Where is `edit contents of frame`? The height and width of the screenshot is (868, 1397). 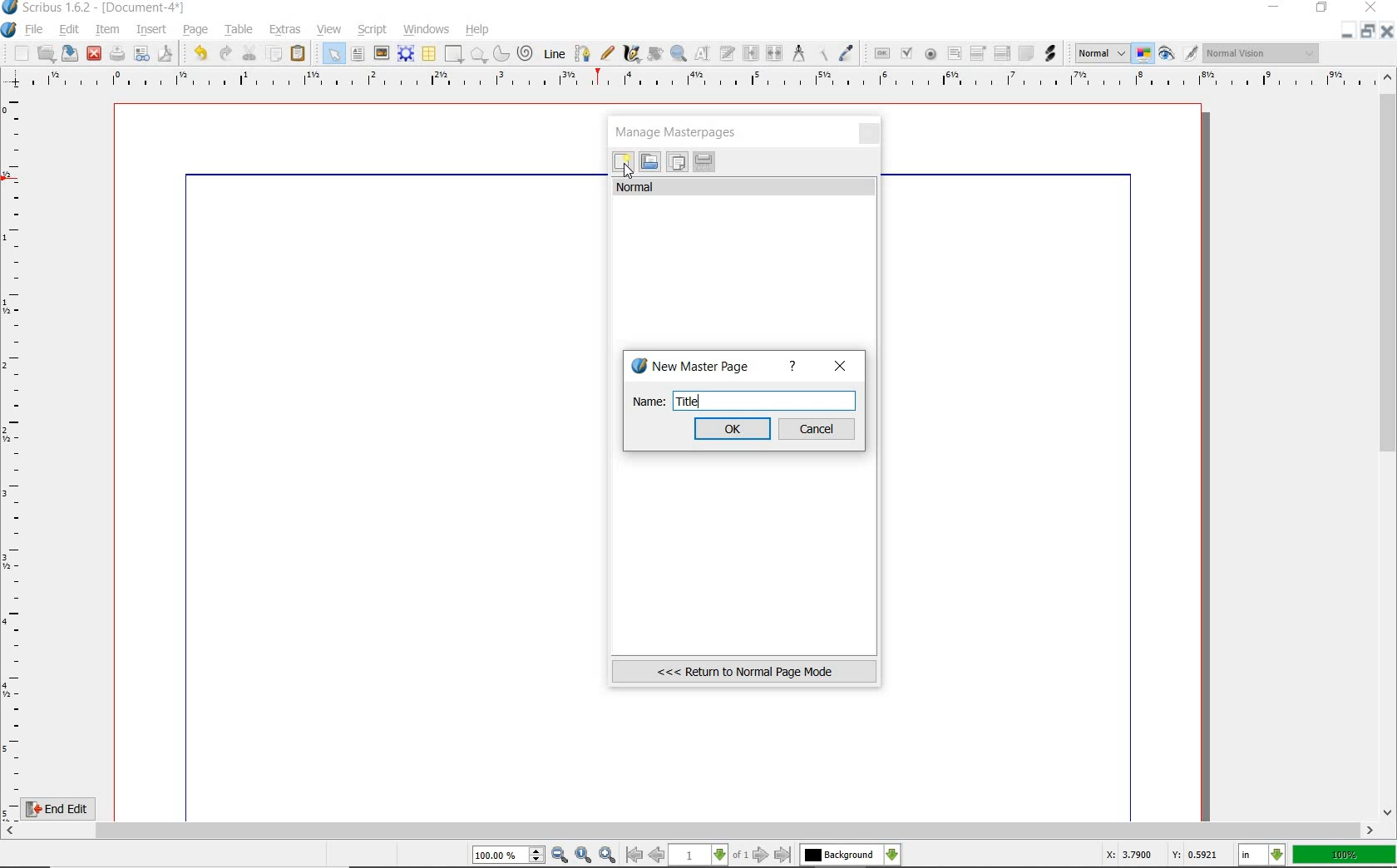 edit contents of frame is located at coordinates (704, 55).